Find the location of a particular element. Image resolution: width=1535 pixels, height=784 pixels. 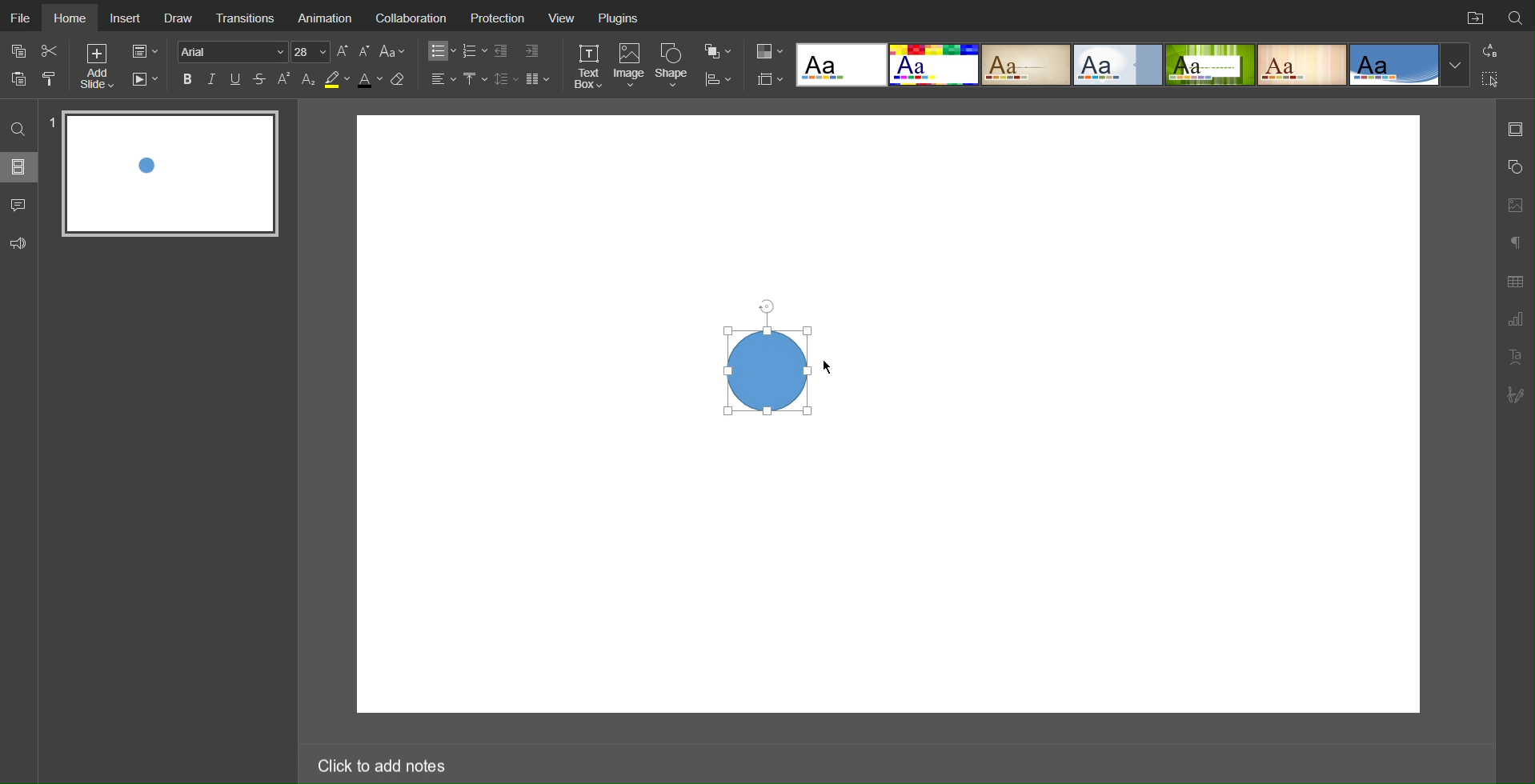

Shape  is located at coordinates (675, 65).